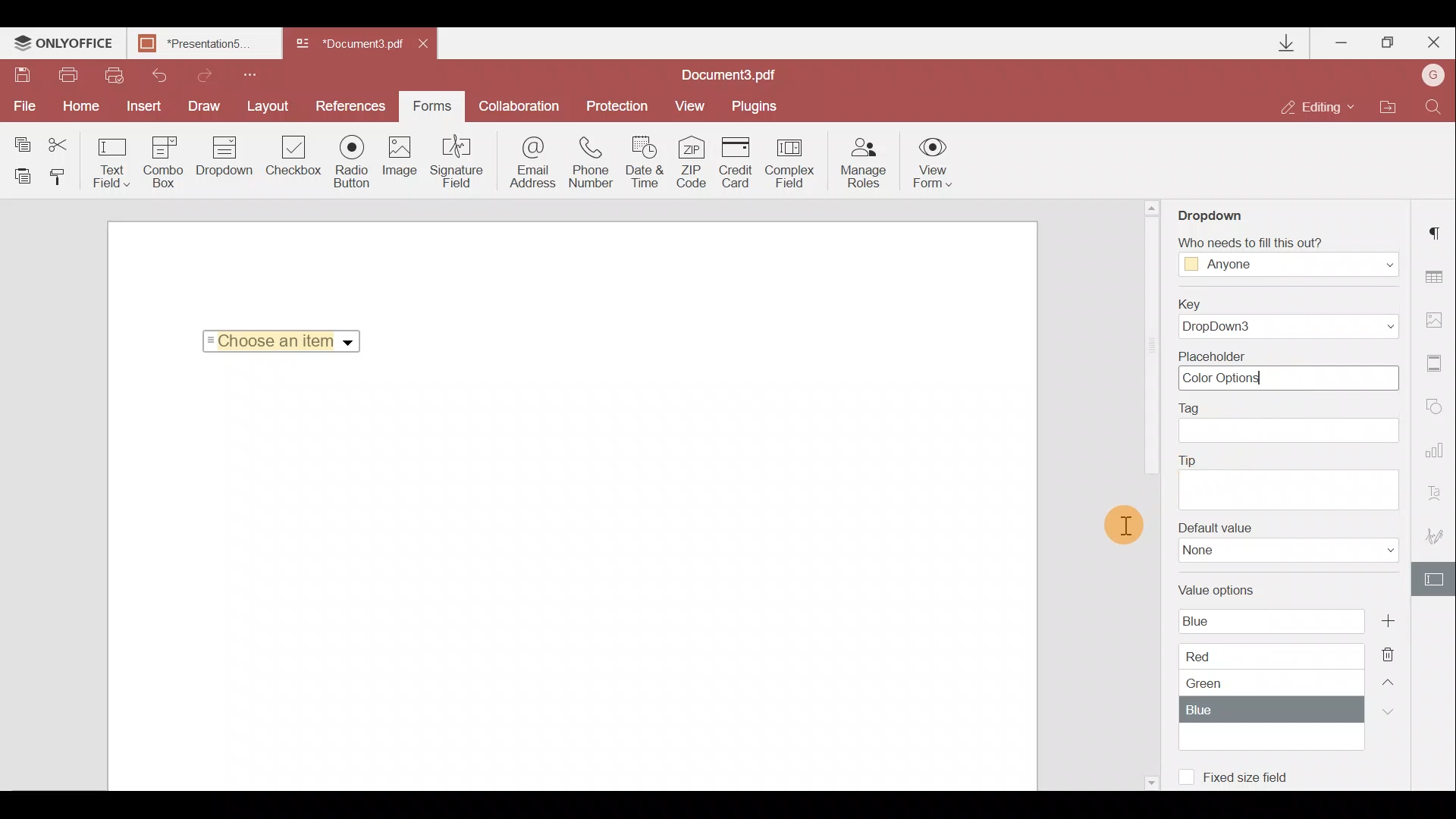 This screenshot has height=819, width=1456. Describe the element at coordinates (208, 106) in the screenshot. I see `Draw` at that location.